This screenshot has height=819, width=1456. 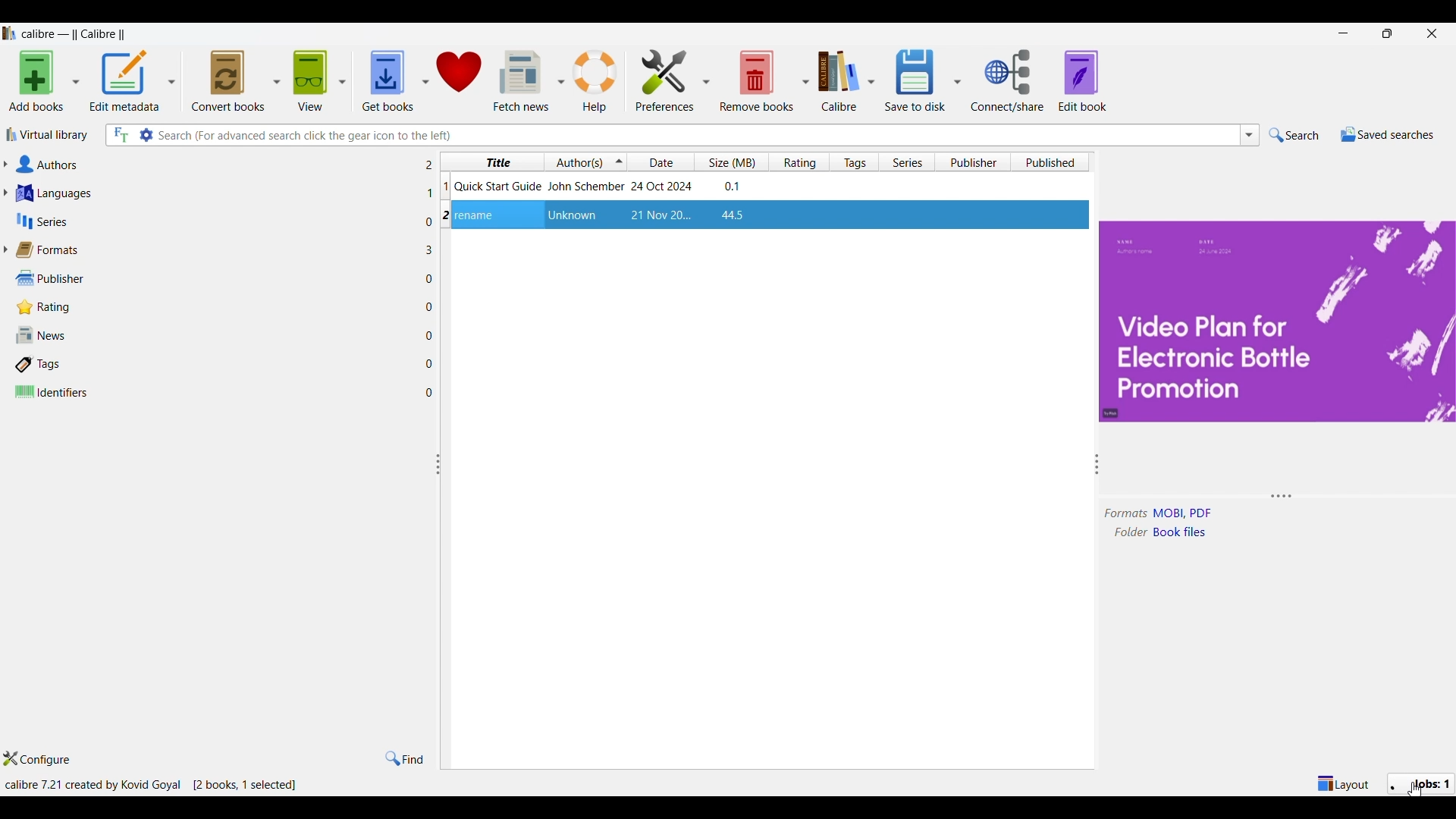 What do you see at coordinates (707, 80) in the screenshot?
I see `Preference options` at bounding box center [707, 80].